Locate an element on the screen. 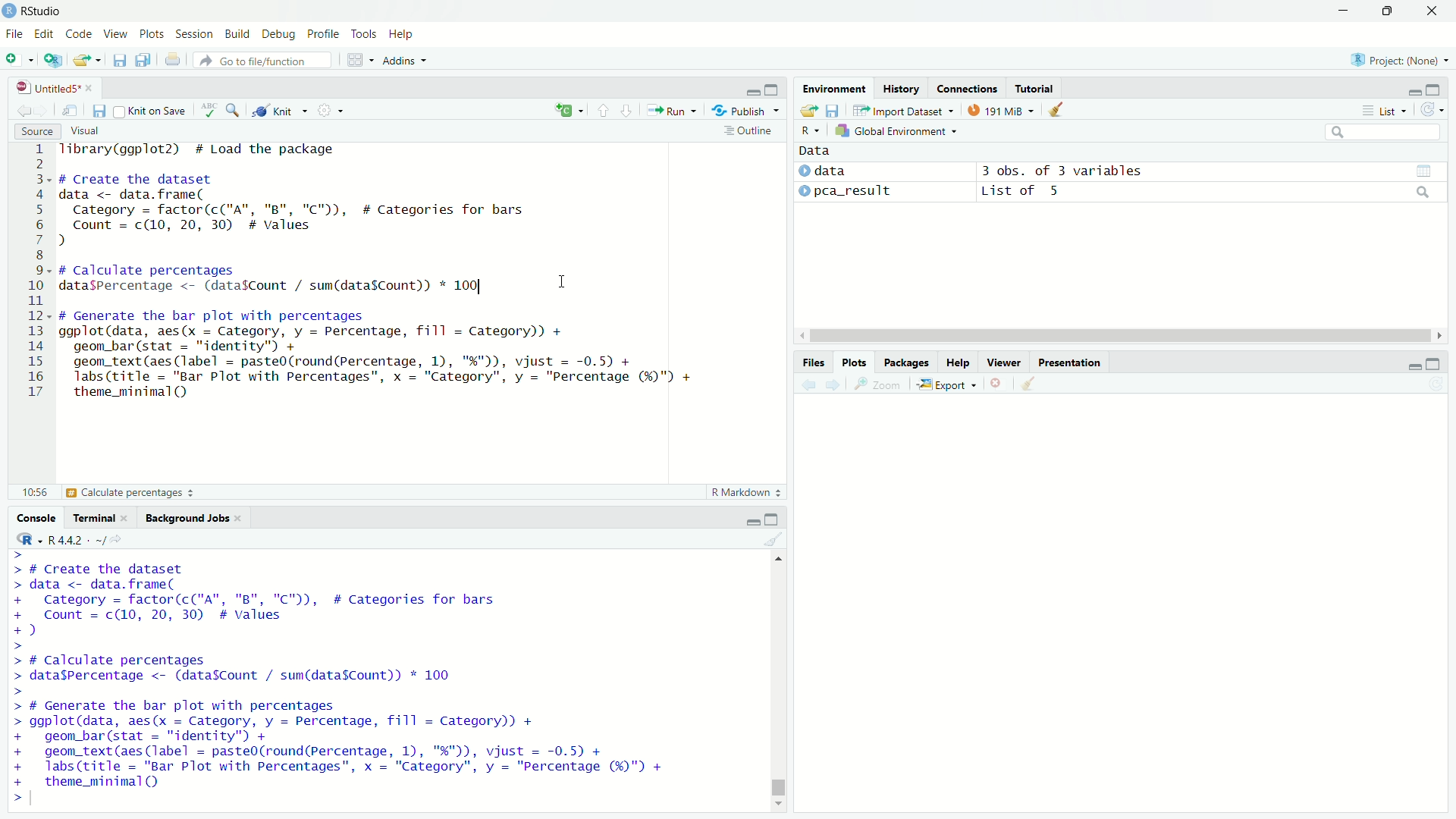 This screenshot has width=1456, height=819. global environment is located at coordinates (897, 130).